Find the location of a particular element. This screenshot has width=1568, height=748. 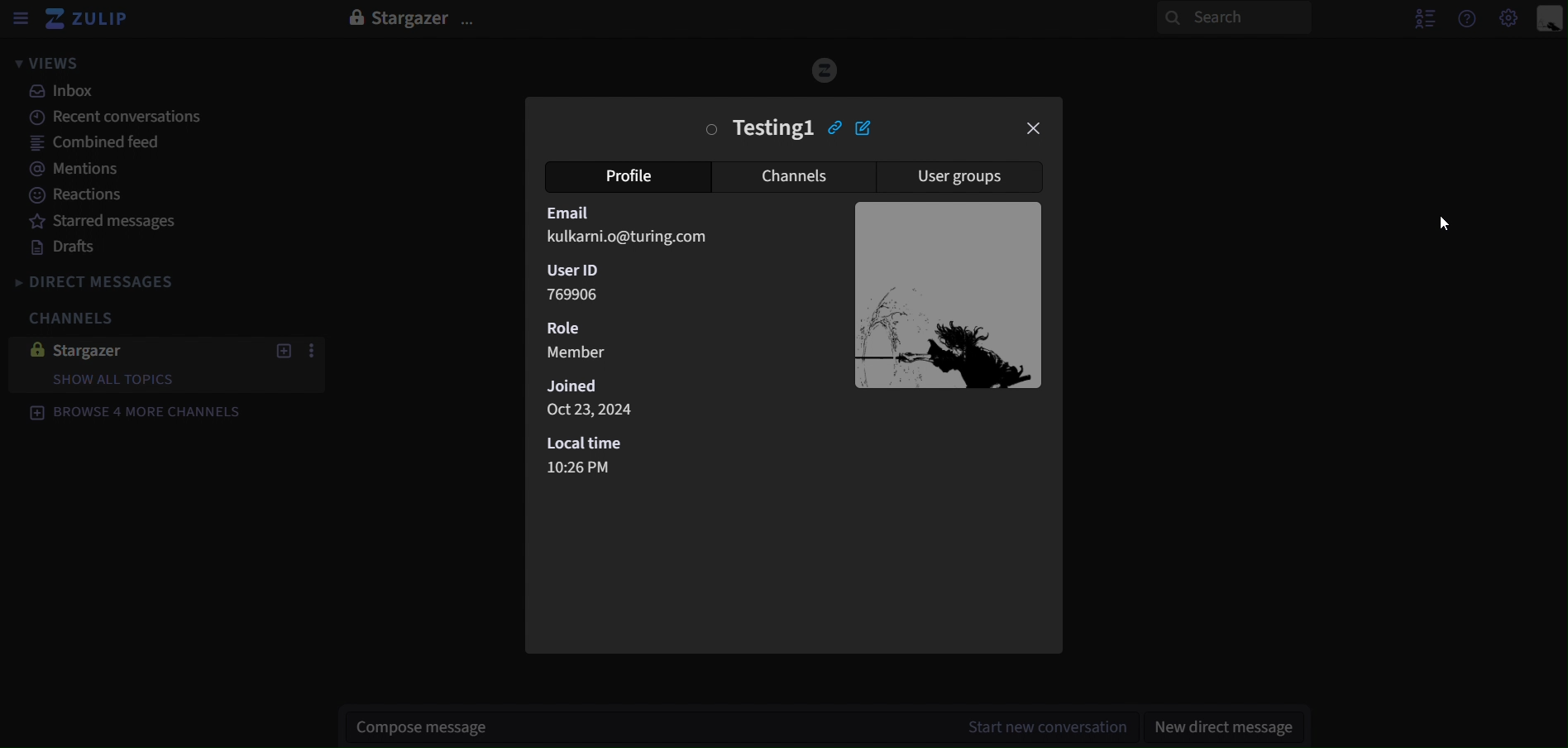

edit profile is located at coordinates (865, 127).